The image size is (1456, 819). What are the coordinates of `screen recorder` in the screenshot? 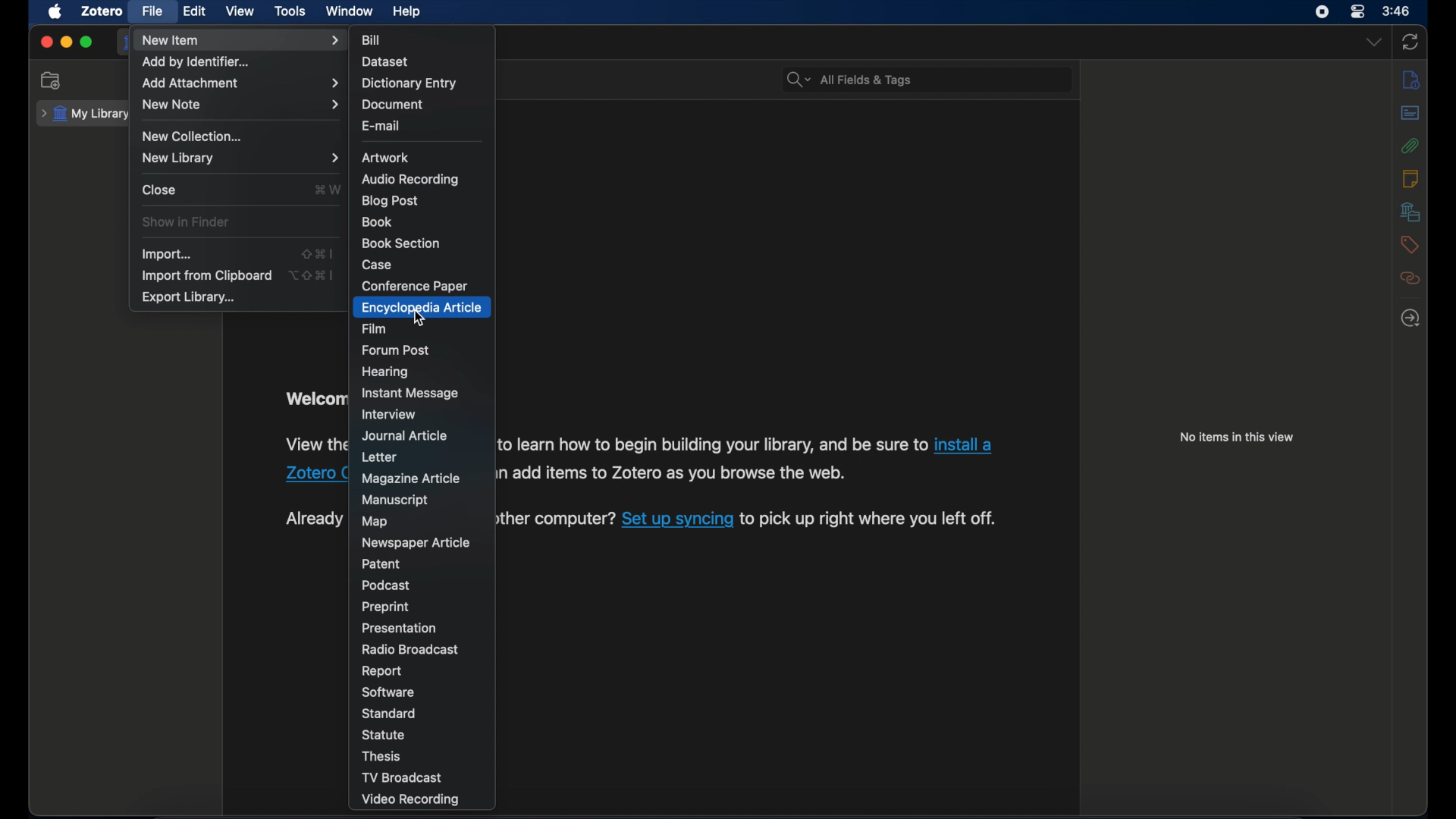 It's located at (1323, 11).